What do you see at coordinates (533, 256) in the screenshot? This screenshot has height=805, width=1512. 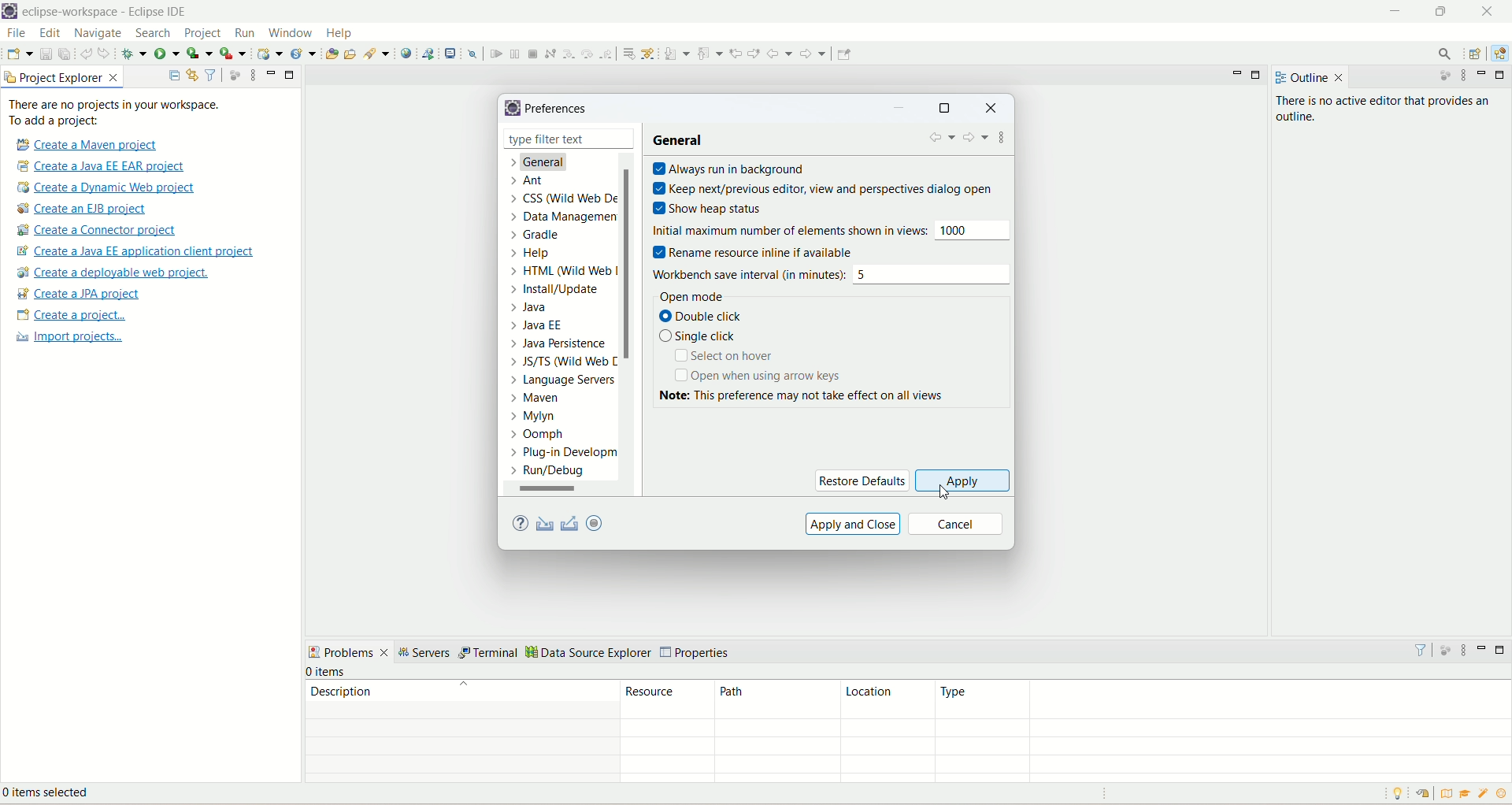 I see `Help` at bounding box center [533, 256].